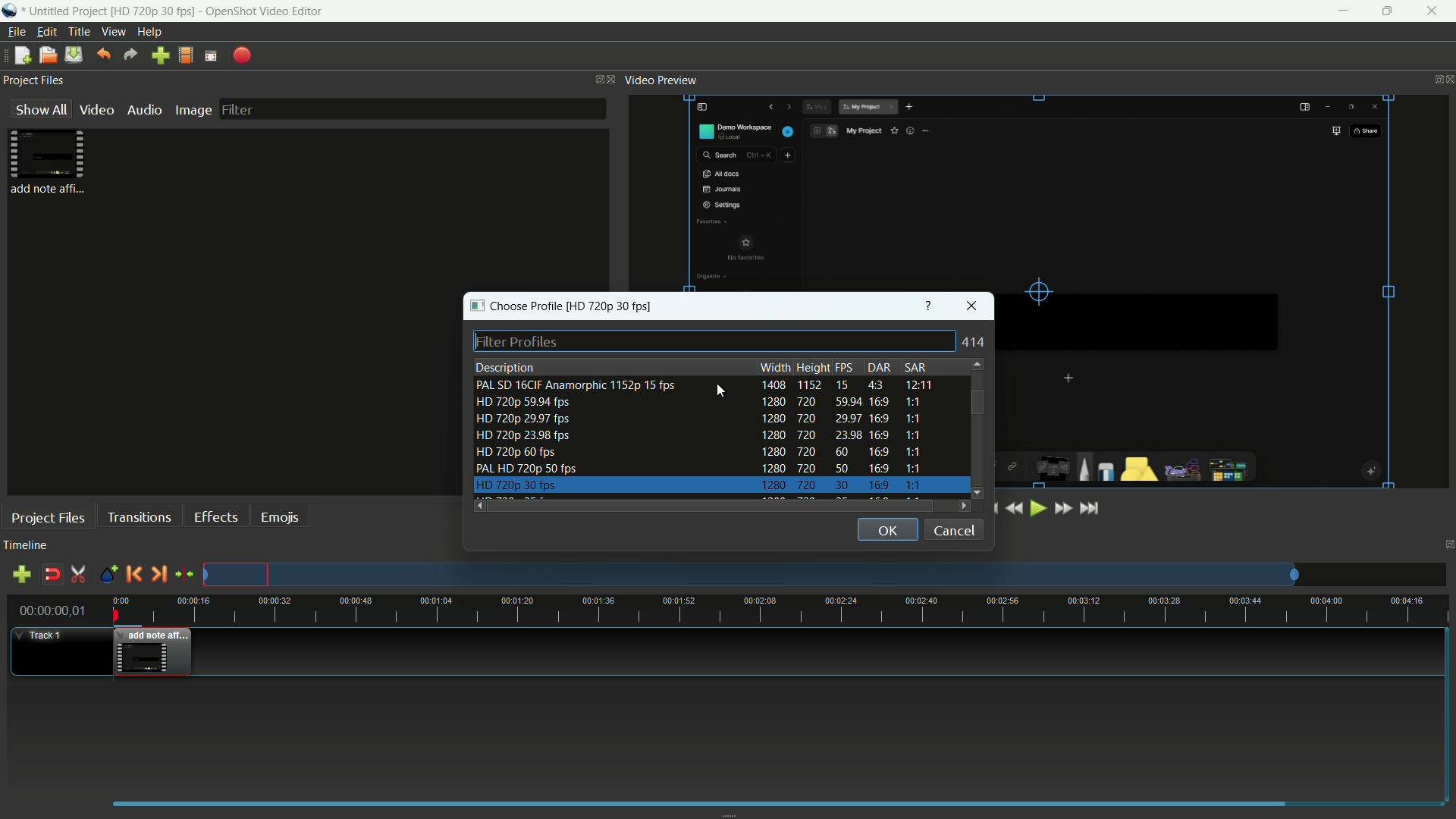  What do you see at coordinates (824, 574) in the screenshot?
I see `track preview` at bounding box center [824, 574].